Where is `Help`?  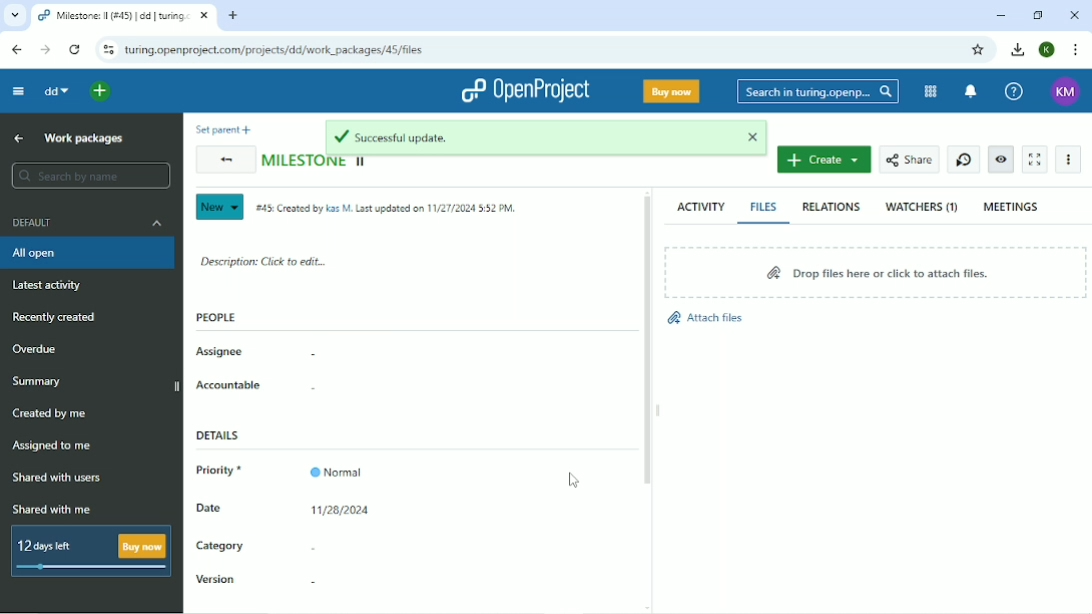
Help is located at coordinates (1013, 92).